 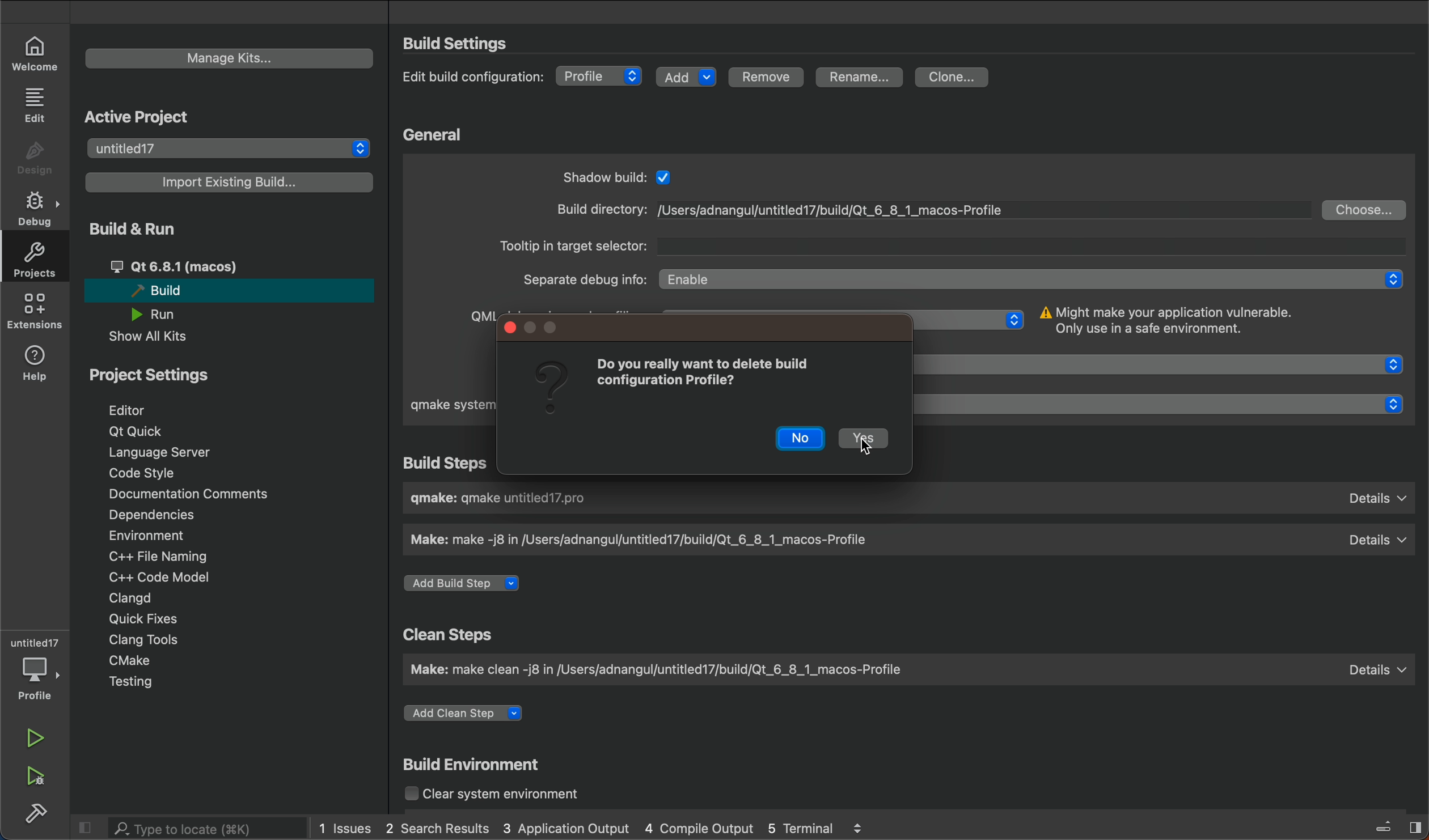 What do you see at coordinates (500, 796) in the screenshot?
I see `clear system environment` at bounding box center [500, 796].